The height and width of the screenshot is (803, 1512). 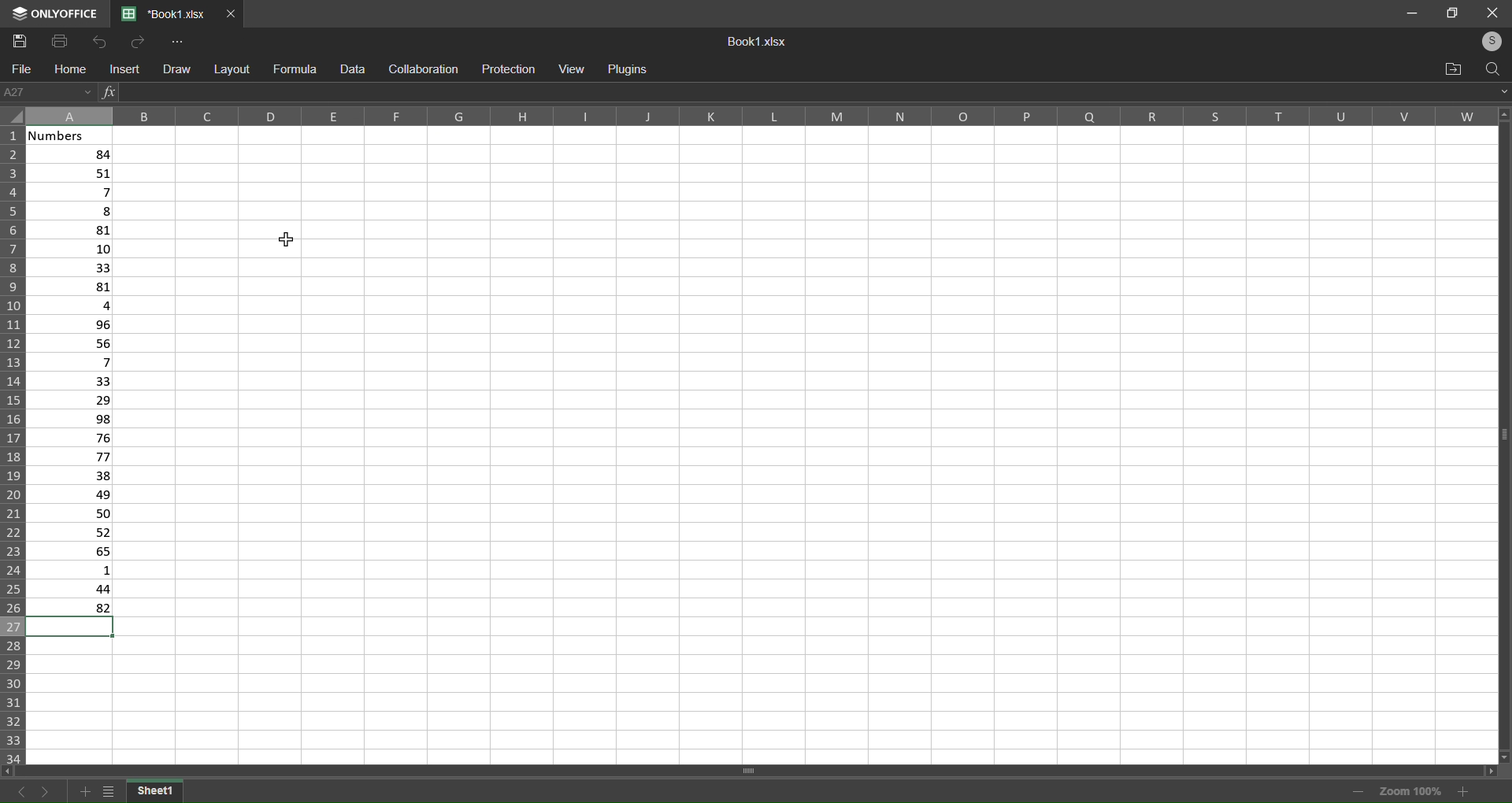 I want to click on formula, so click(x=295, y=68).